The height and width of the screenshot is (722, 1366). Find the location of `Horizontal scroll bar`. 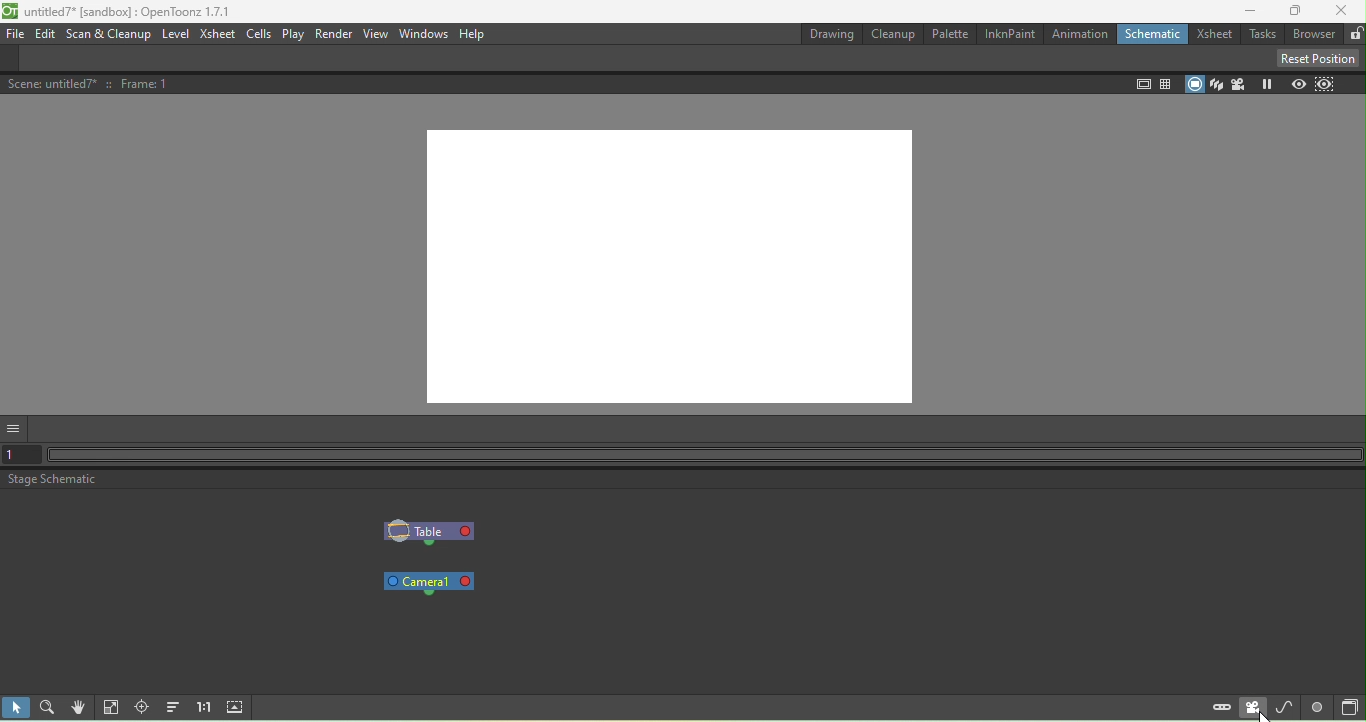

Horizontal scroll bar is located at coordinates (706, 455).